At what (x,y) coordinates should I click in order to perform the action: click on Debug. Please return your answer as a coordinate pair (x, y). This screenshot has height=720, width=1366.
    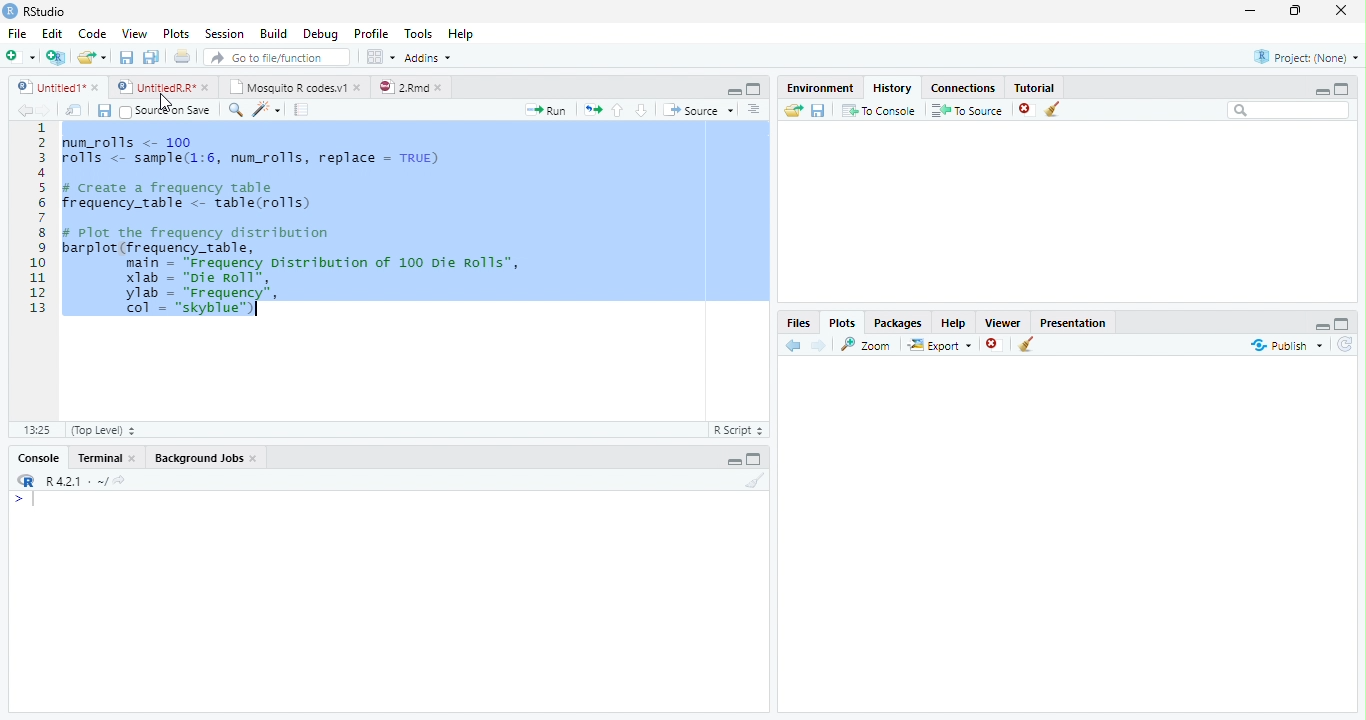
    Looking at the image, I should click on (321, 33).